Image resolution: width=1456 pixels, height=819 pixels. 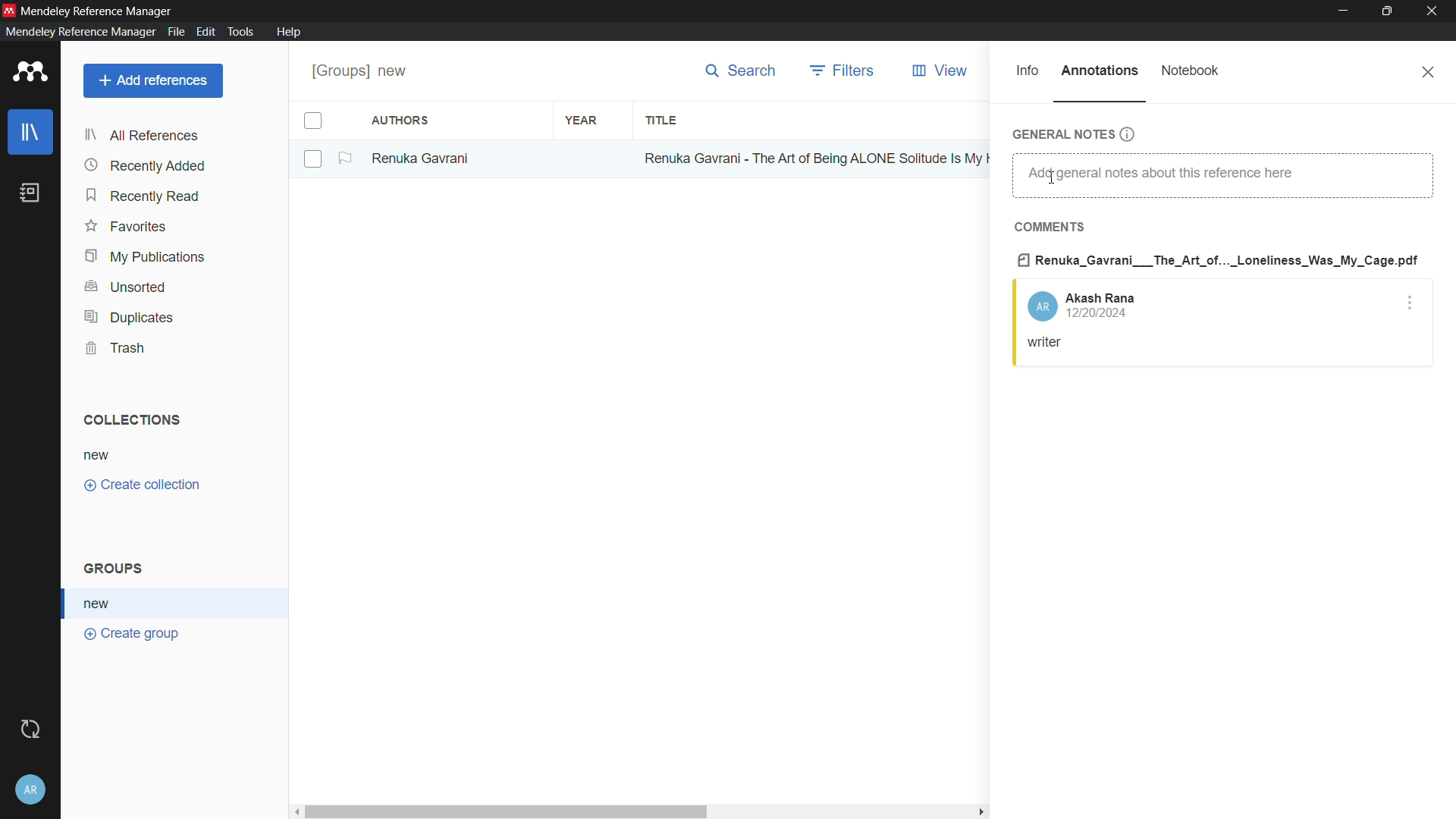 What do you see at coordinates (133, 635) in the screenshot?
I see `create group` at bounding box center [133, 635].